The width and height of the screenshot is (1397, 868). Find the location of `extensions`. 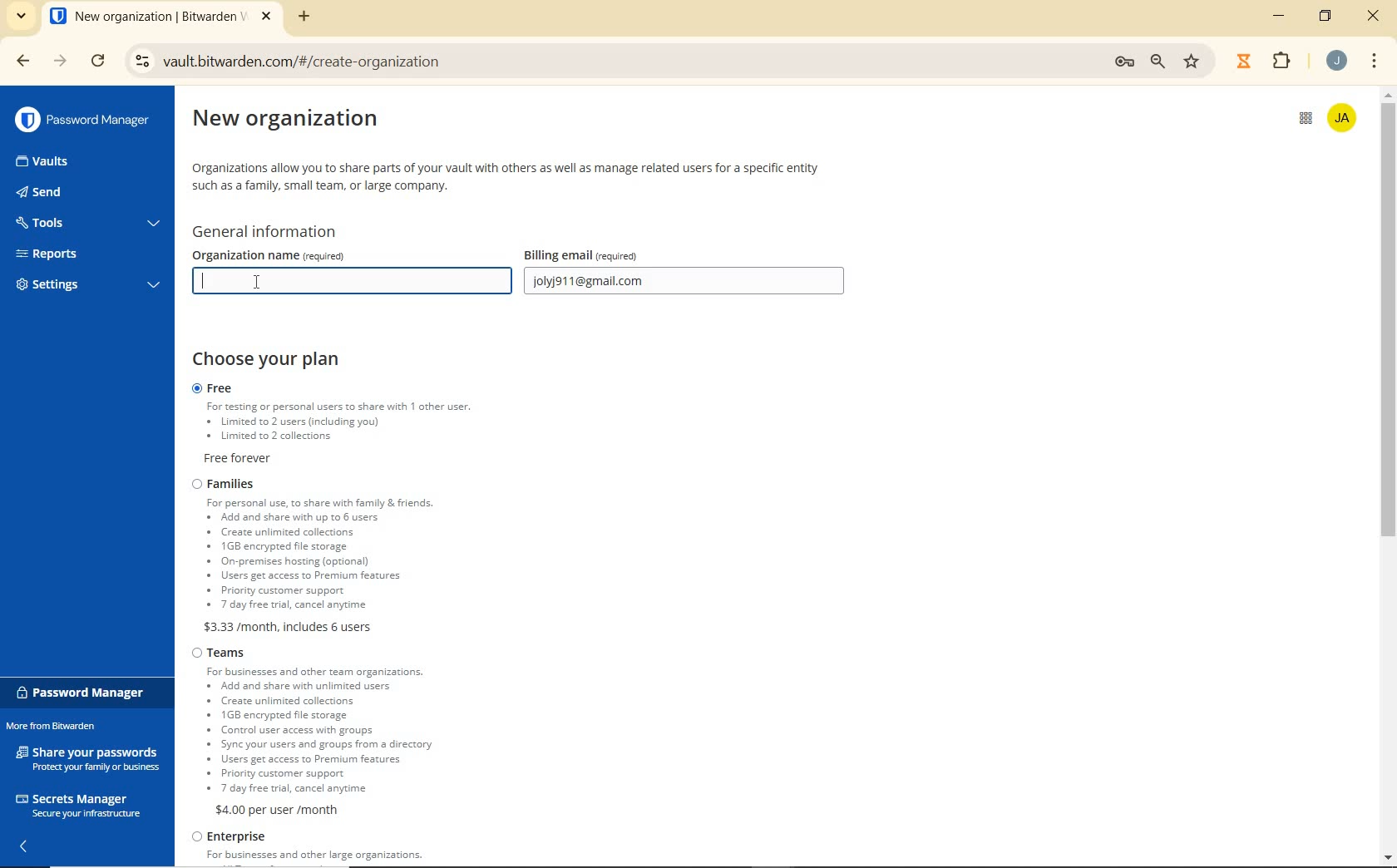

extensions is located at coordinates (1279, 62).